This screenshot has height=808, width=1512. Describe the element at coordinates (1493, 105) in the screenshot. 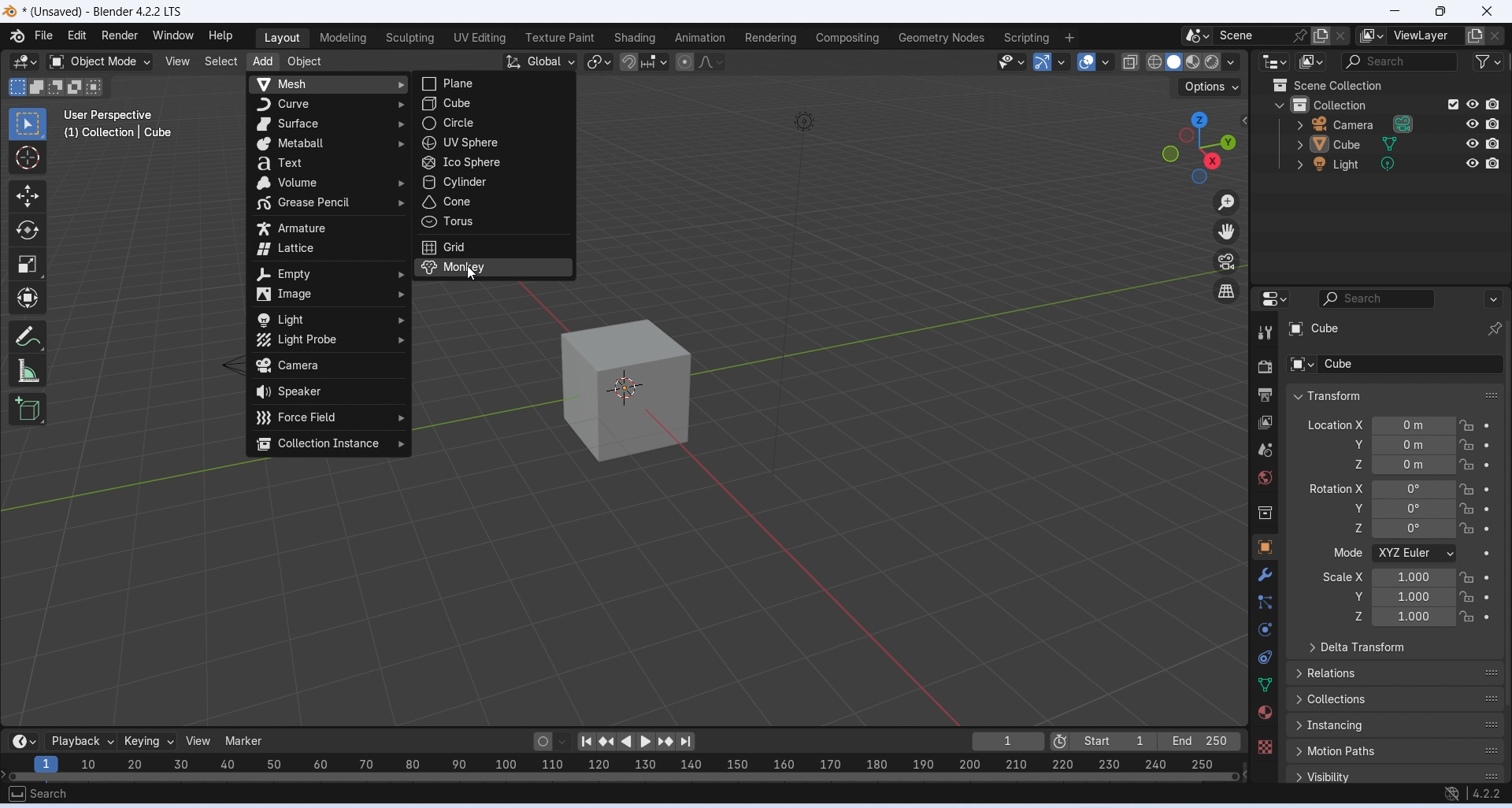

I see `disable in renders` at that location.